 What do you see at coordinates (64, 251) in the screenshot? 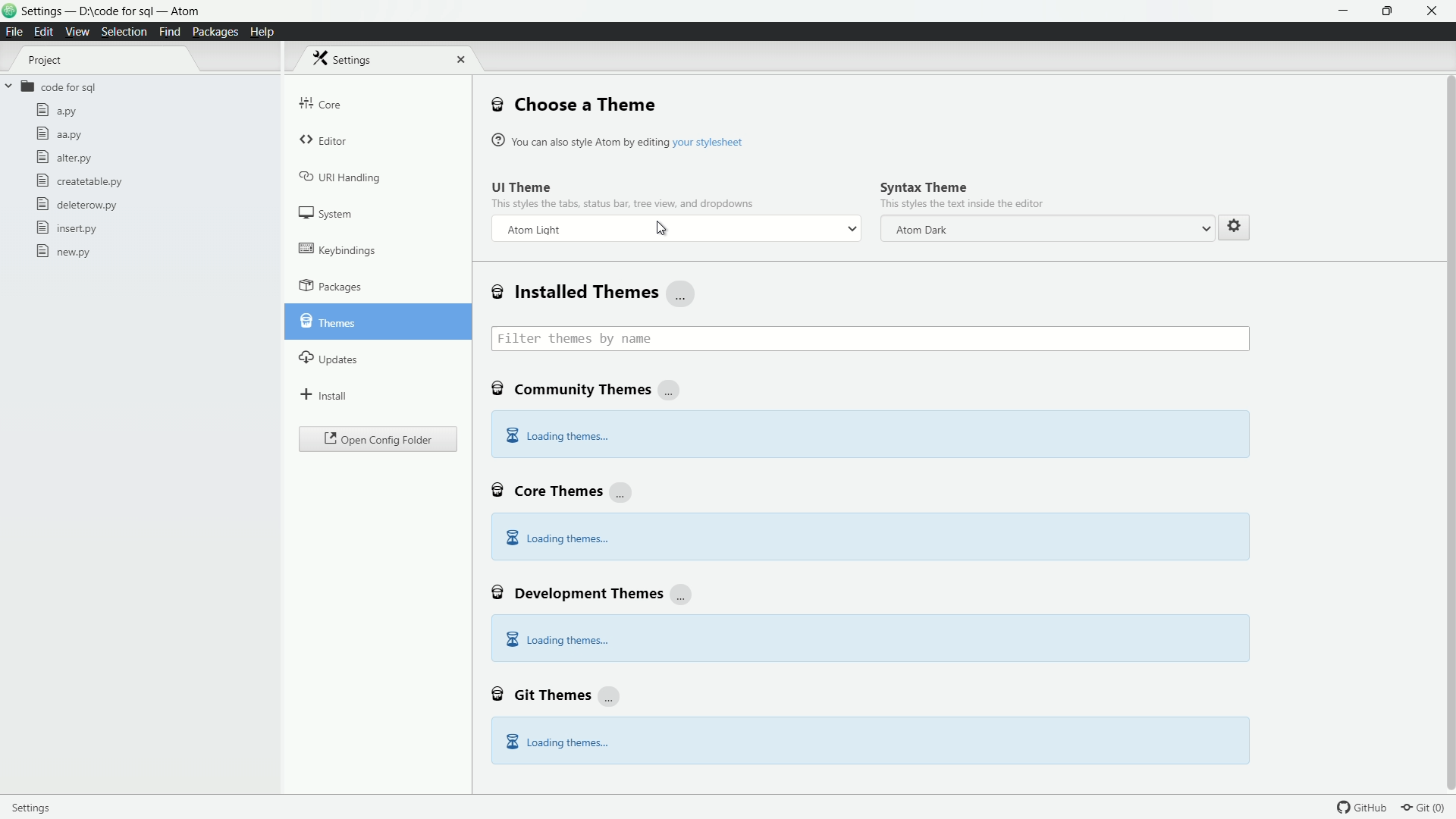
I see `new.py file` at bounding box center [64, 251].